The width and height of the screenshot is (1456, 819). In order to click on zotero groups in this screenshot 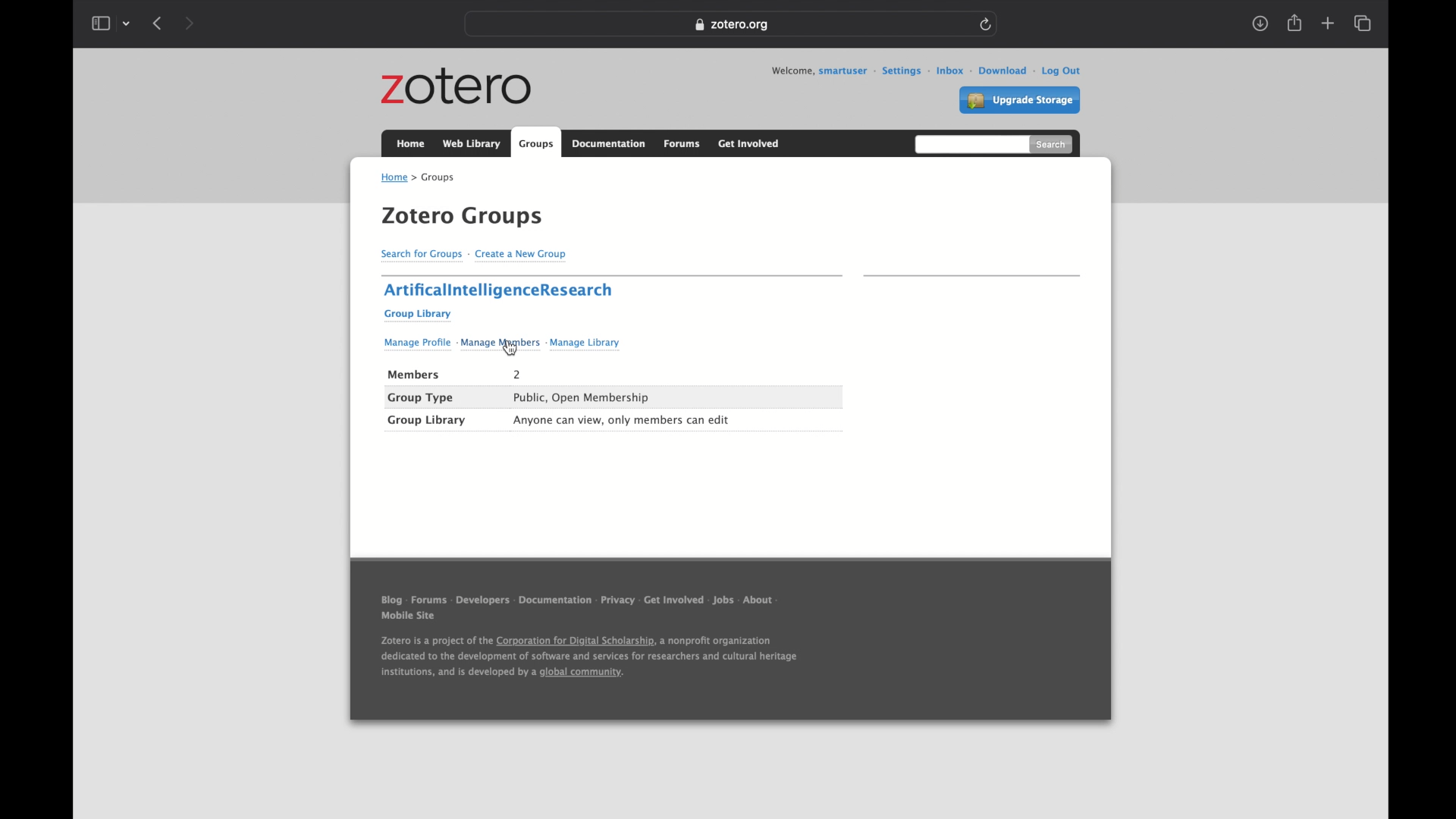, I will do `click(462, 218)`.